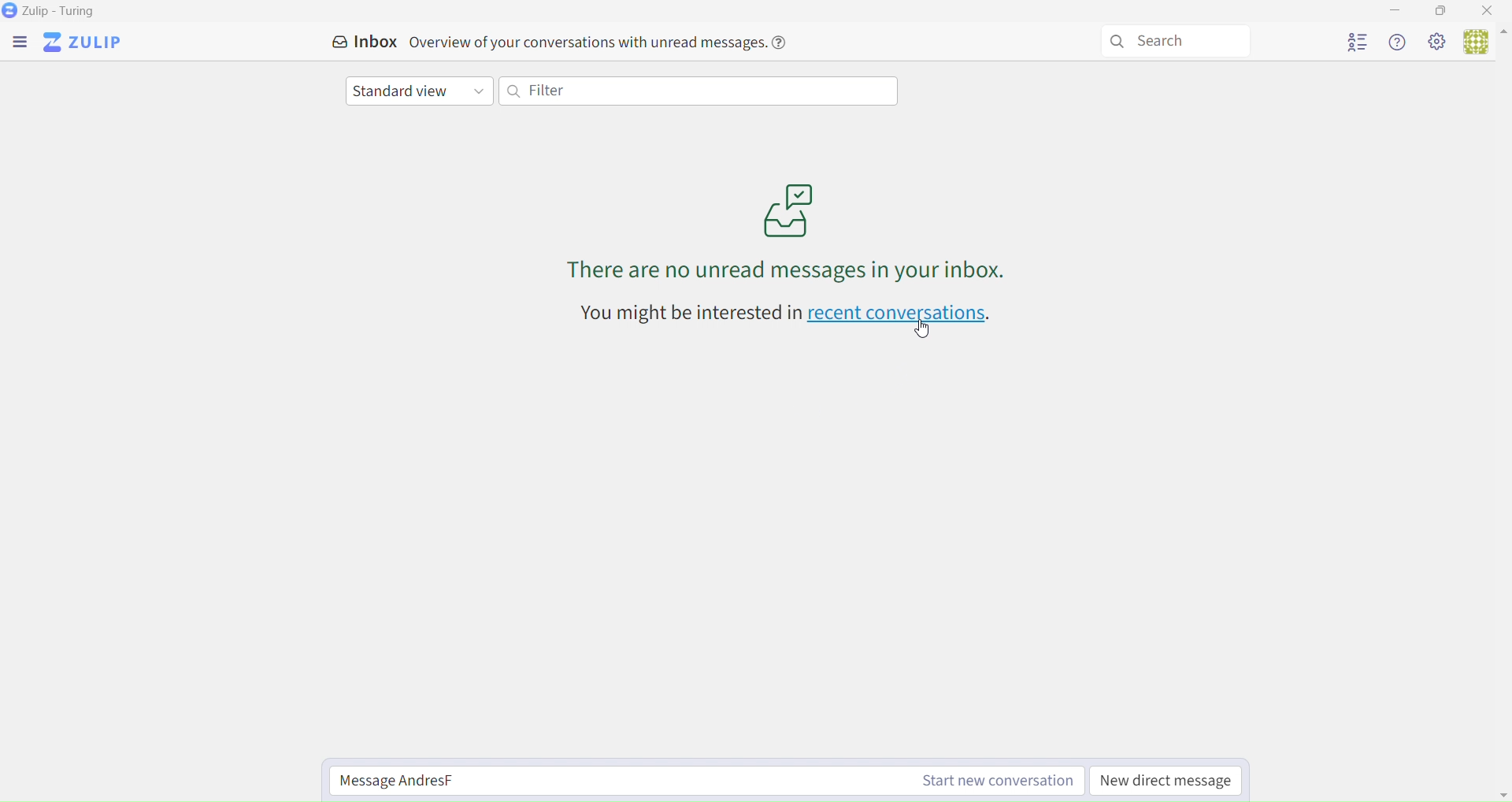 This screenshot has width=1512, height=802. Describe the element at coordinates (1483, 43) in the screenshot. I see `User` at that location.